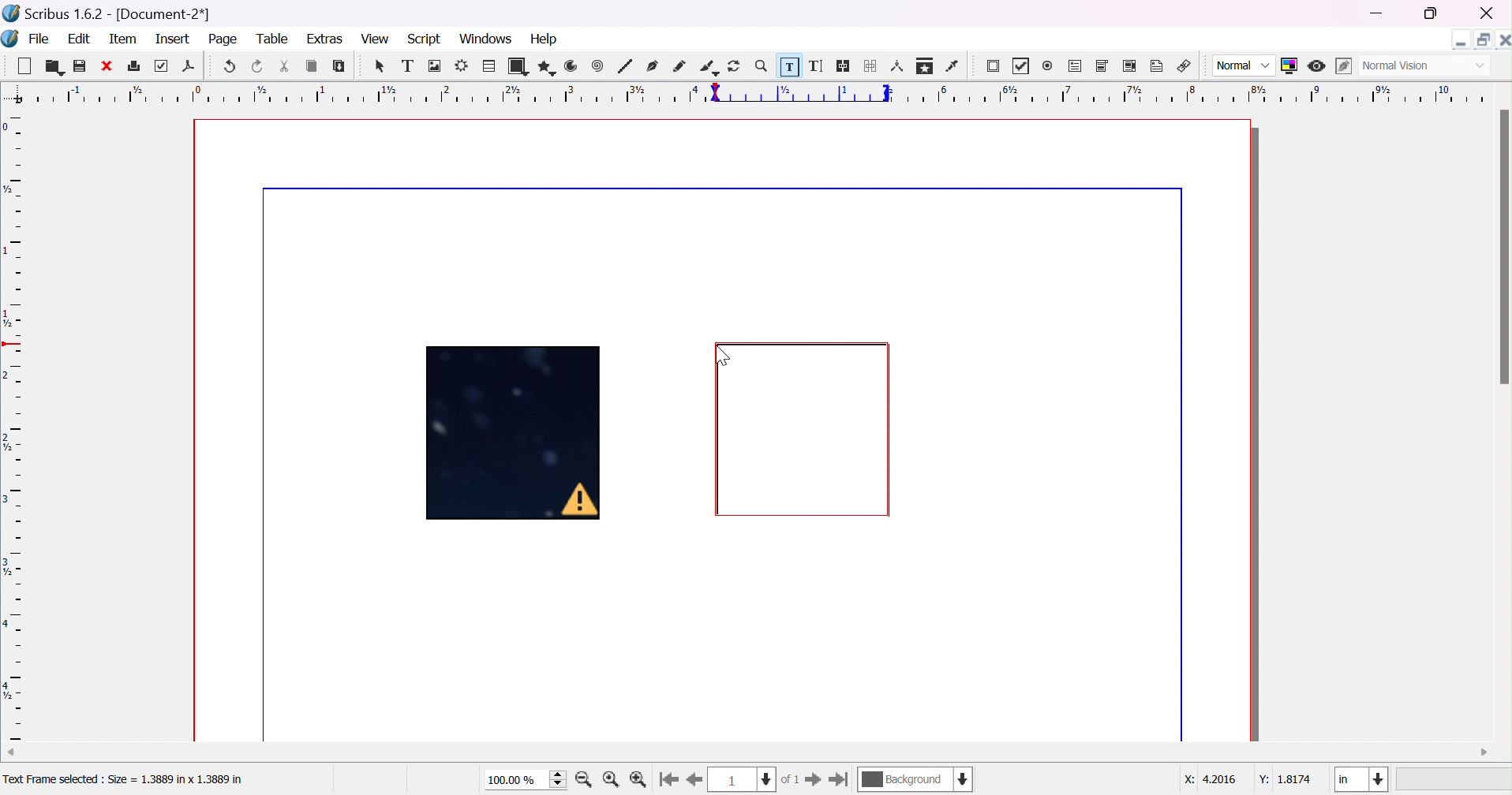  I want to click on bezier curve, so click(653, 65).